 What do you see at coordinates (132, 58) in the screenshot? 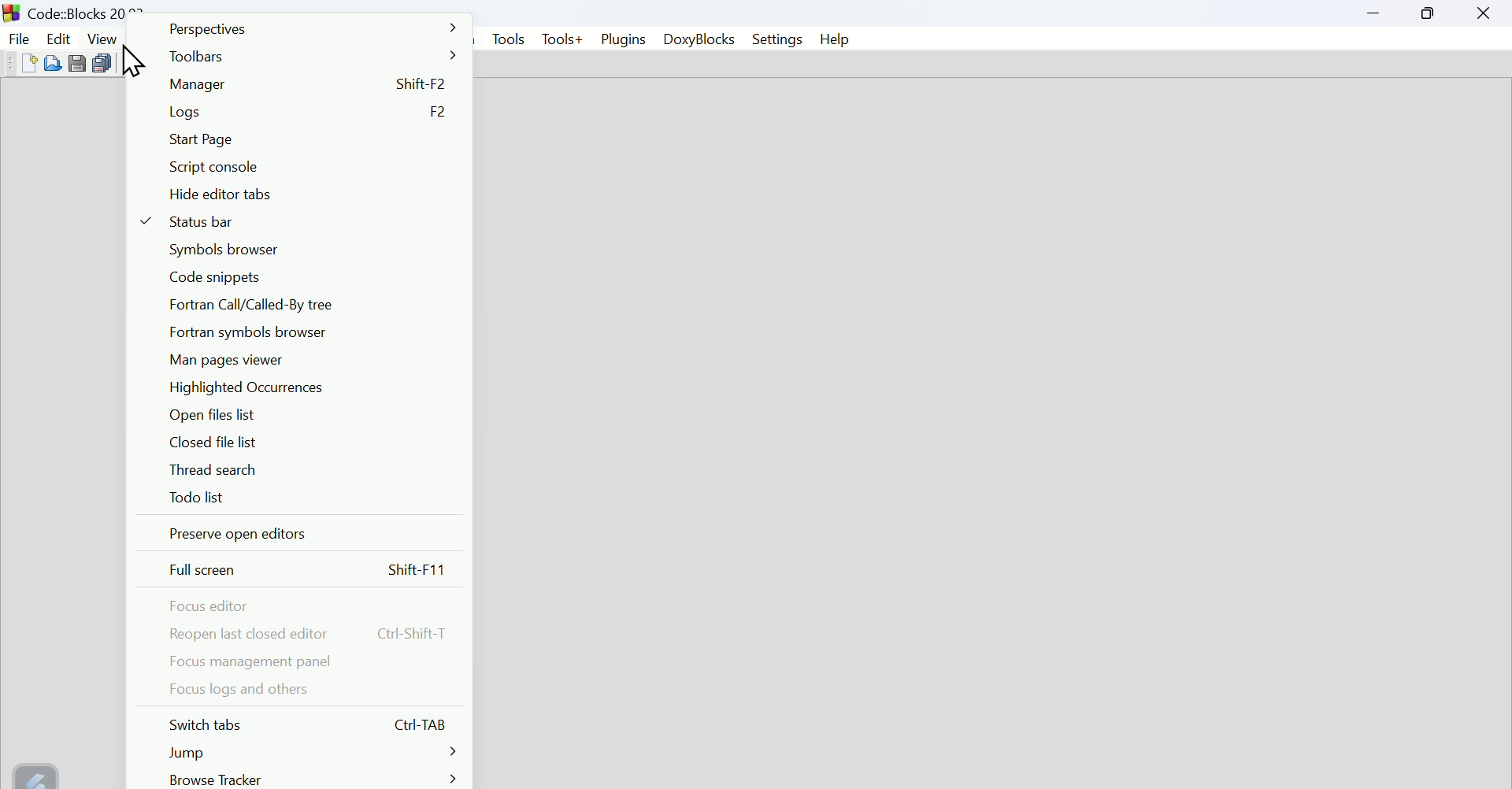
I see `Cursor` at bounding box center [132, 58].